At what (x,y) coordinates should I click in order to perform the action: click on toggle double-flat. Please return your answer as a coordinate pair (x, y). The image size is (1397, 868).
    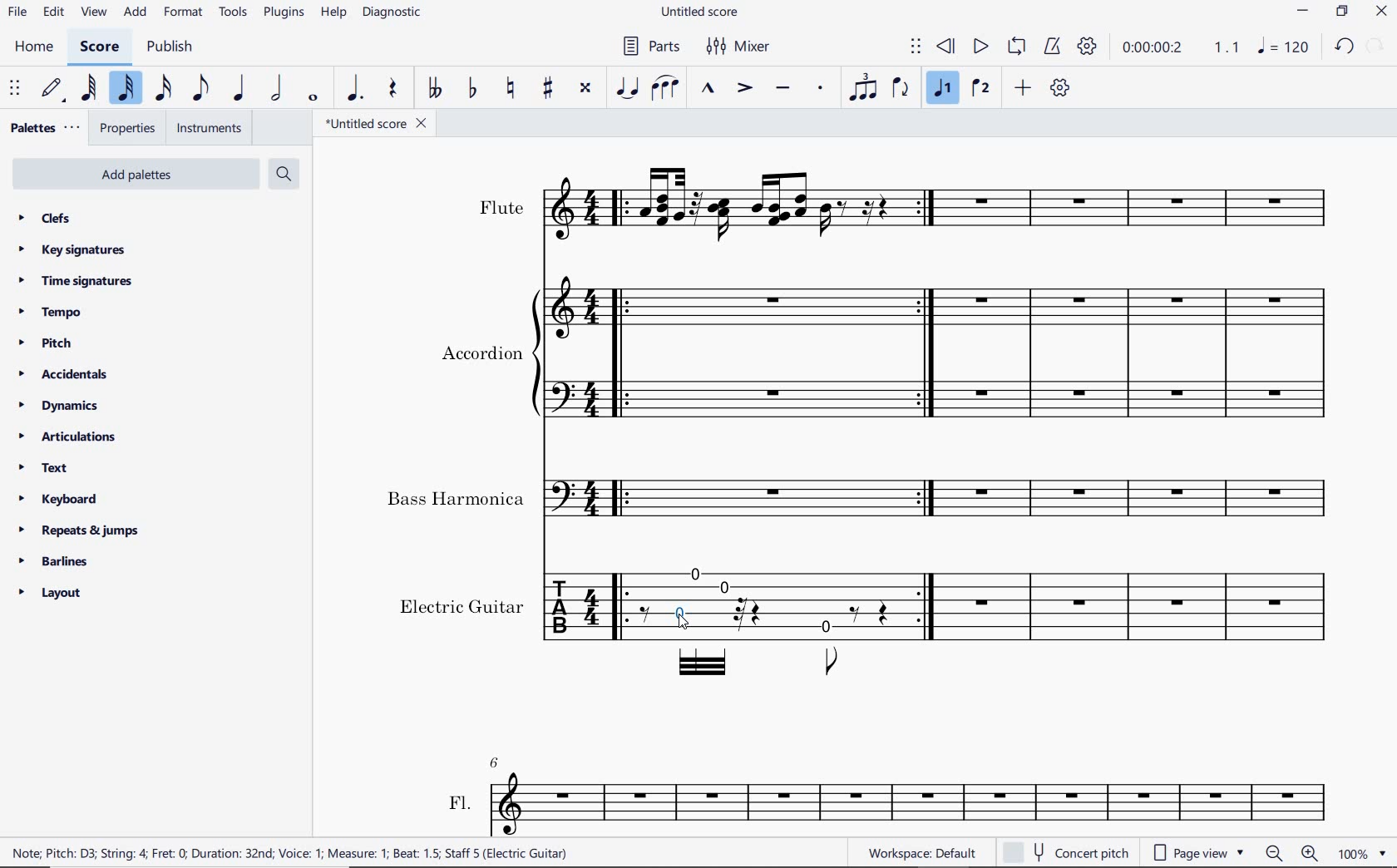
    Looking at the image, I should click on (432, 89).